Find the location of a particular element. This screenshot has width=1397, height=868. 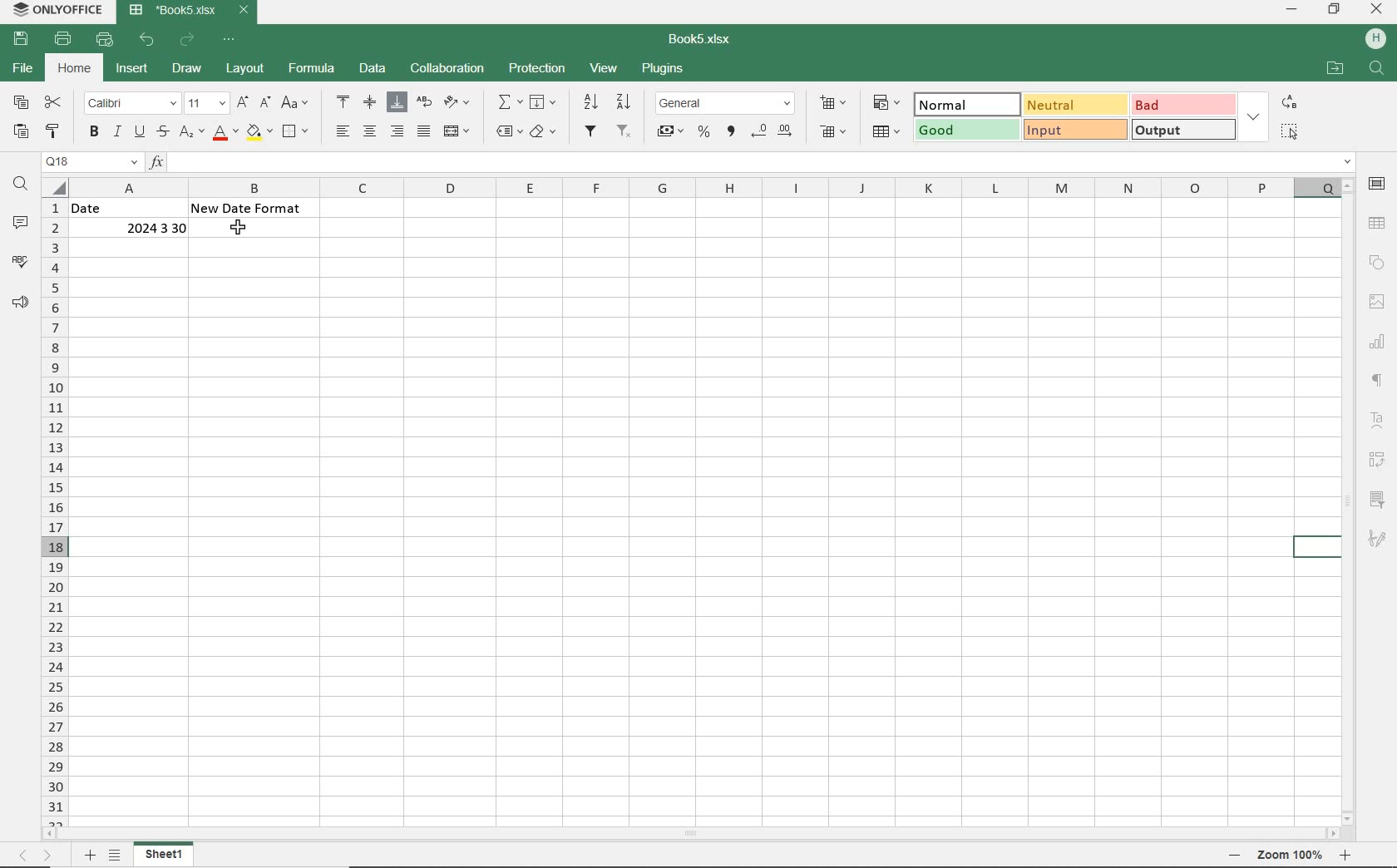

ALIGN BOTTOM is located at coordinates (397, 102).